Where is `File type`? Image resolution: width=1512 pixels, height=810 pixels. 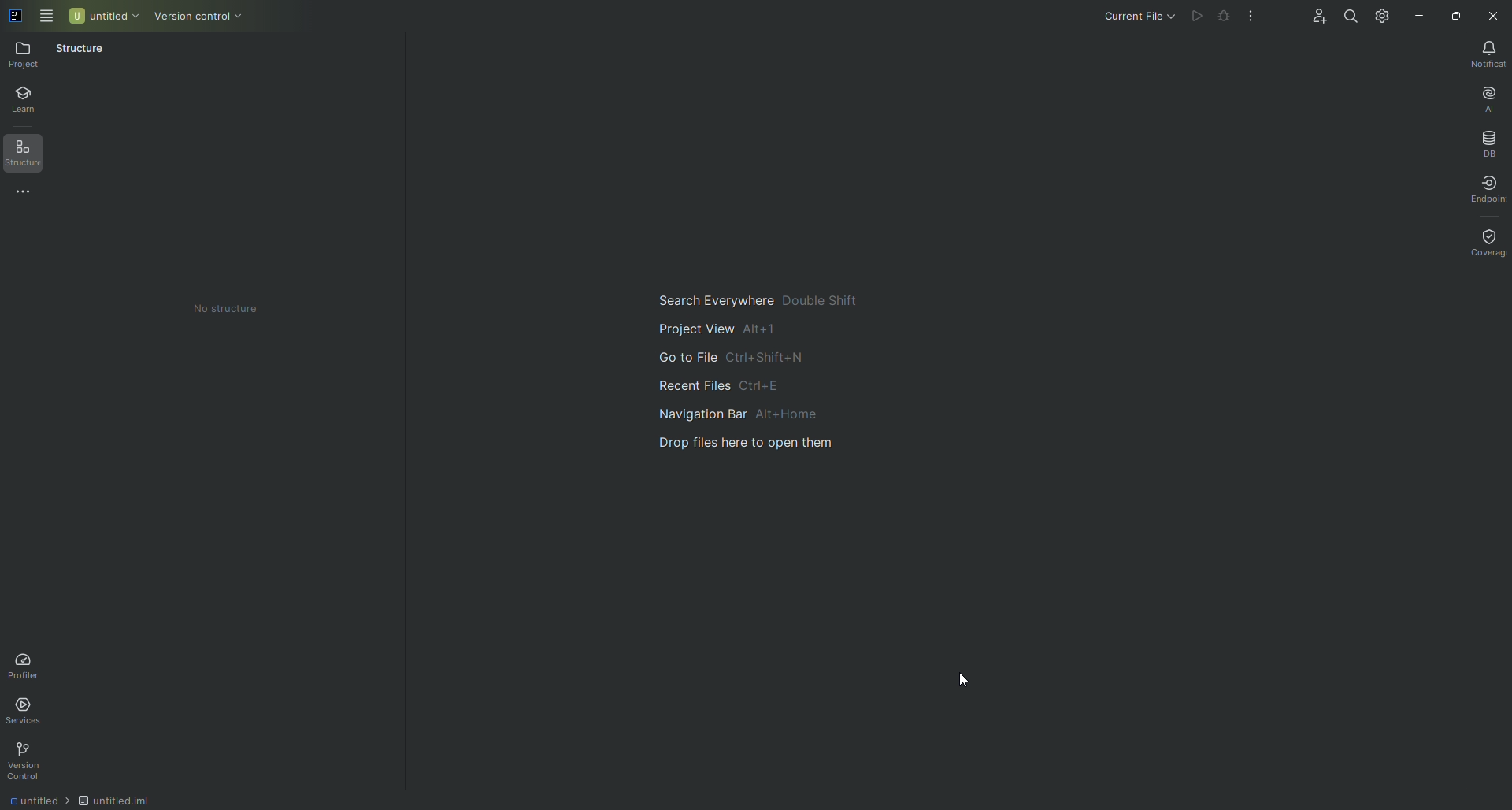 File type is located at coordinates (131, 798).